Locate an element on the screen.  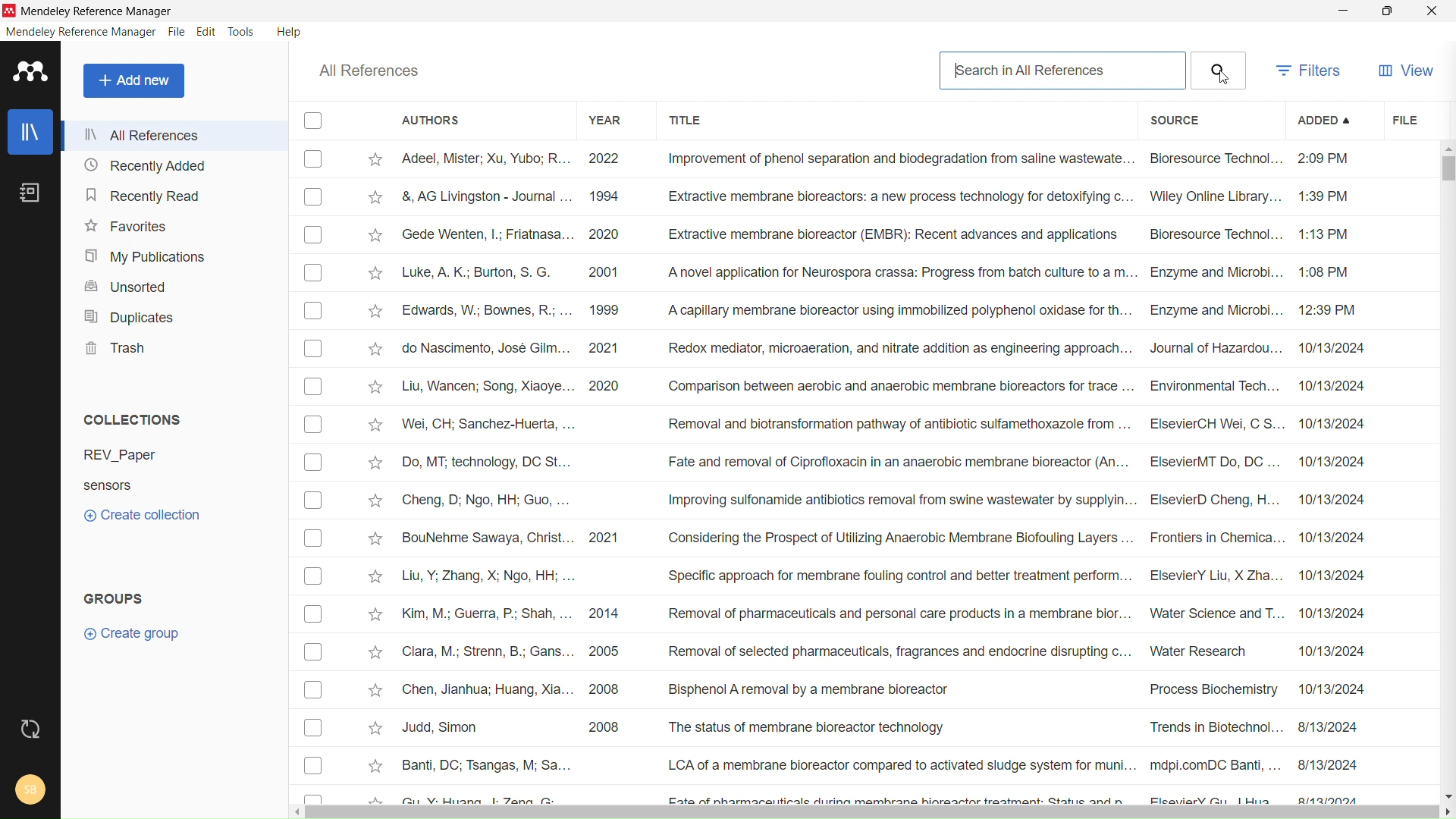
cursor is located at coordinates (1219, 82).